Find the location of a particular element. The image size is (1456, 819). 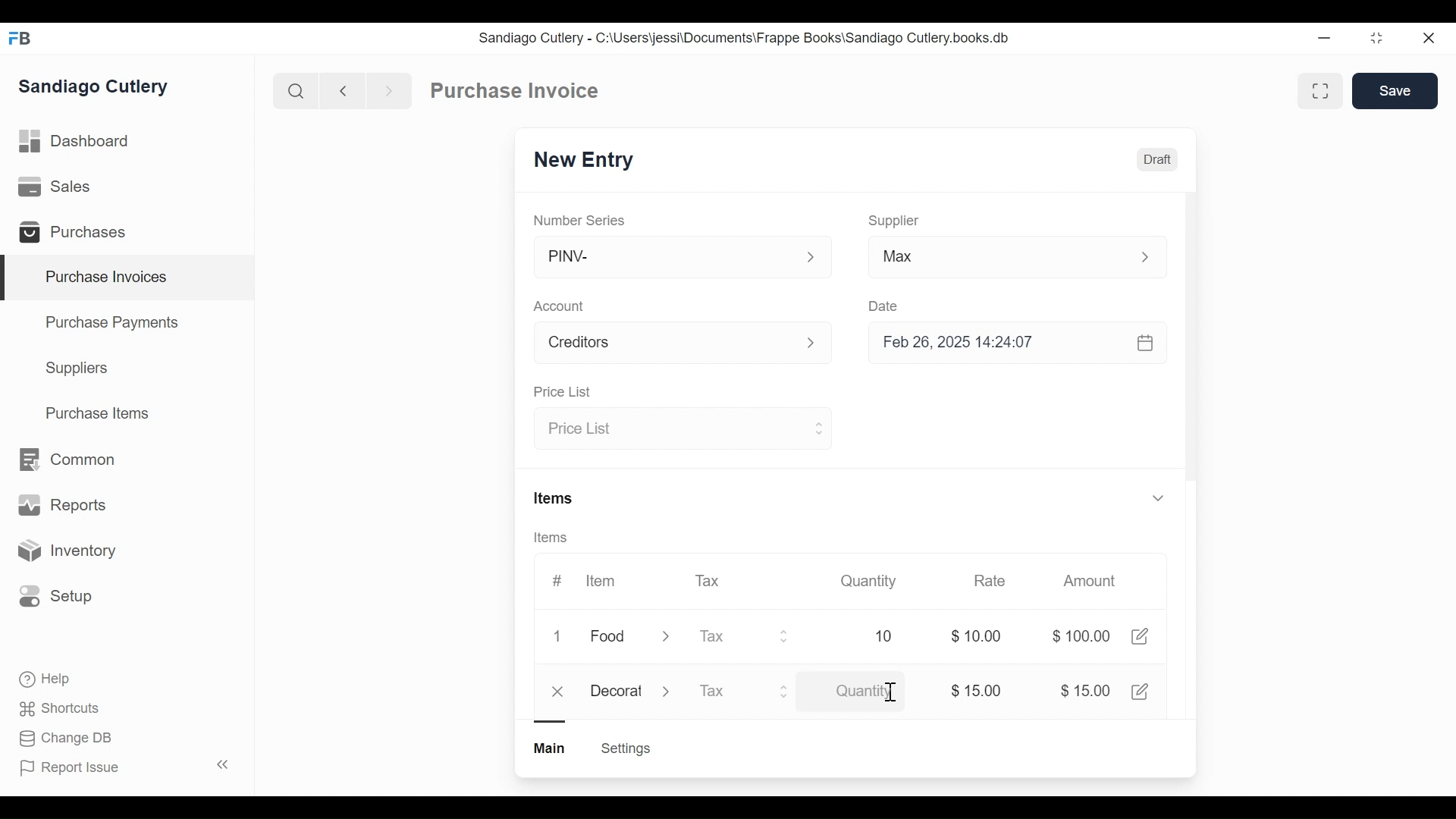

Edit is located at coordinates (1139, 636).